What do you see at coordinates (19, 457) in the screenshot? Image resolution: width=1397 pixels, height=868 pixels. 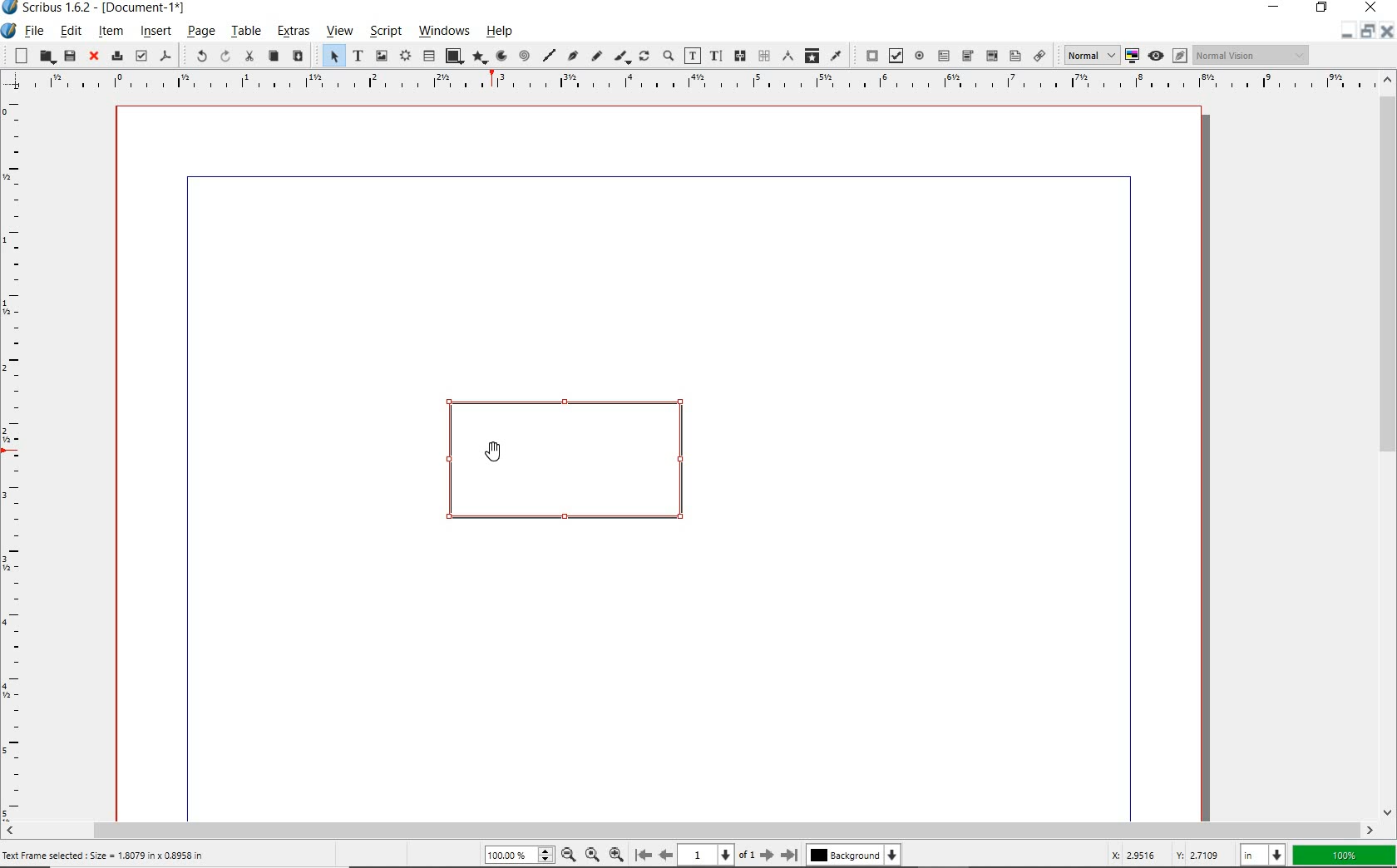 I see `Vertical Margin` at bounding box center [19, 457].